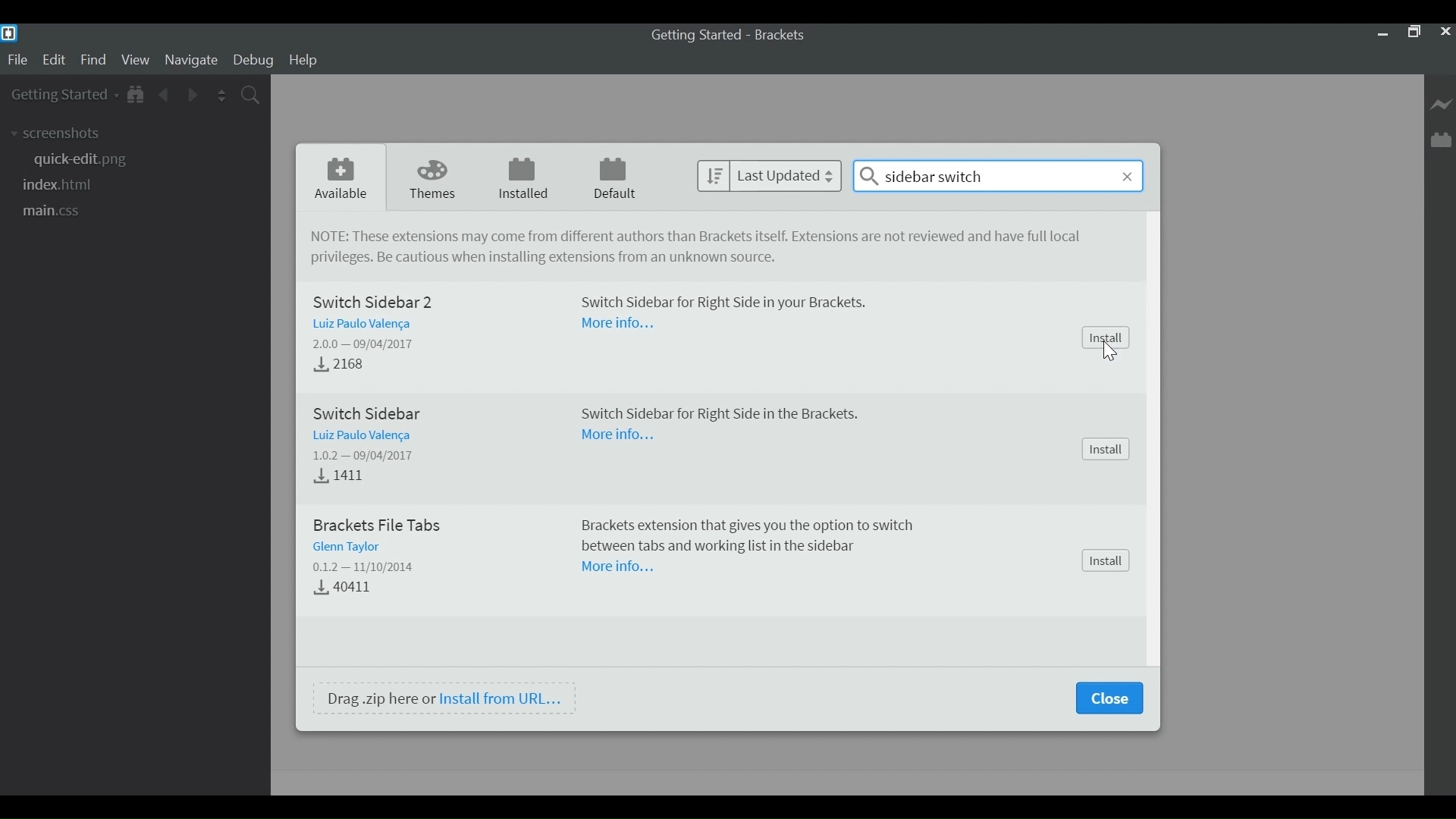  I want to click on cursor, so click(1112, 351).